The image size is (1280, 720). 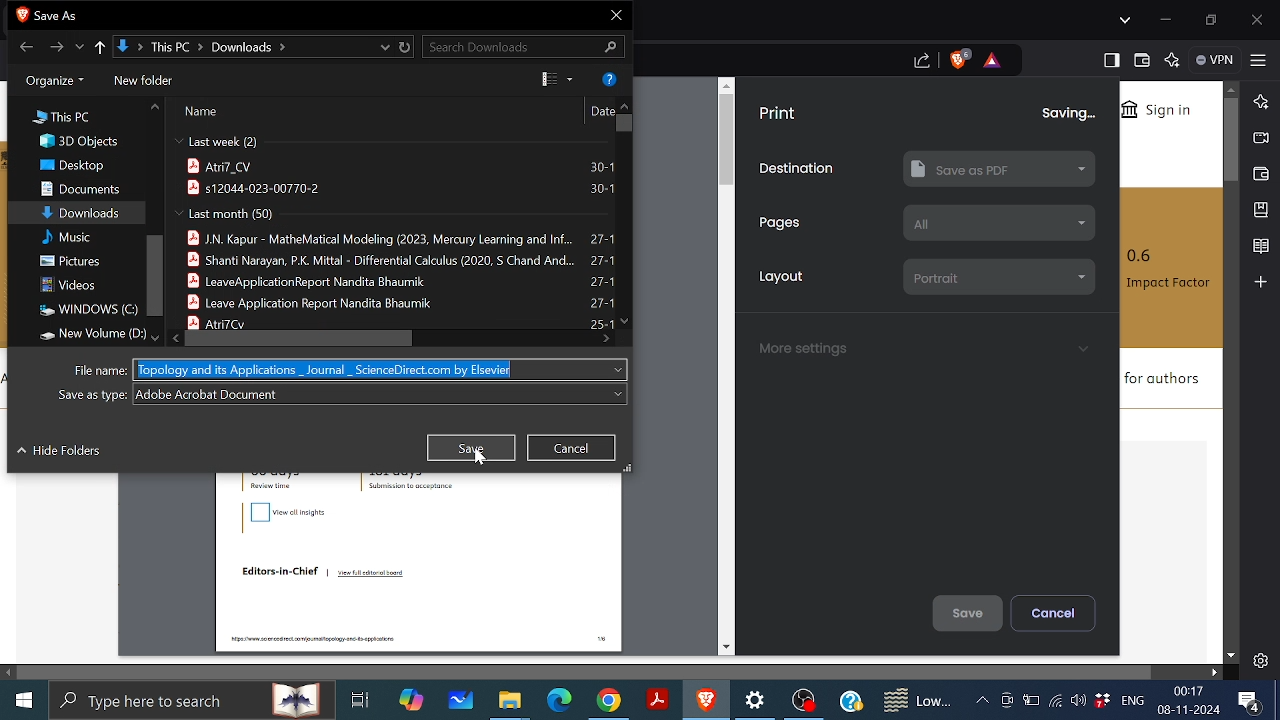 I want to click on Start, so click(x=24, y=701).